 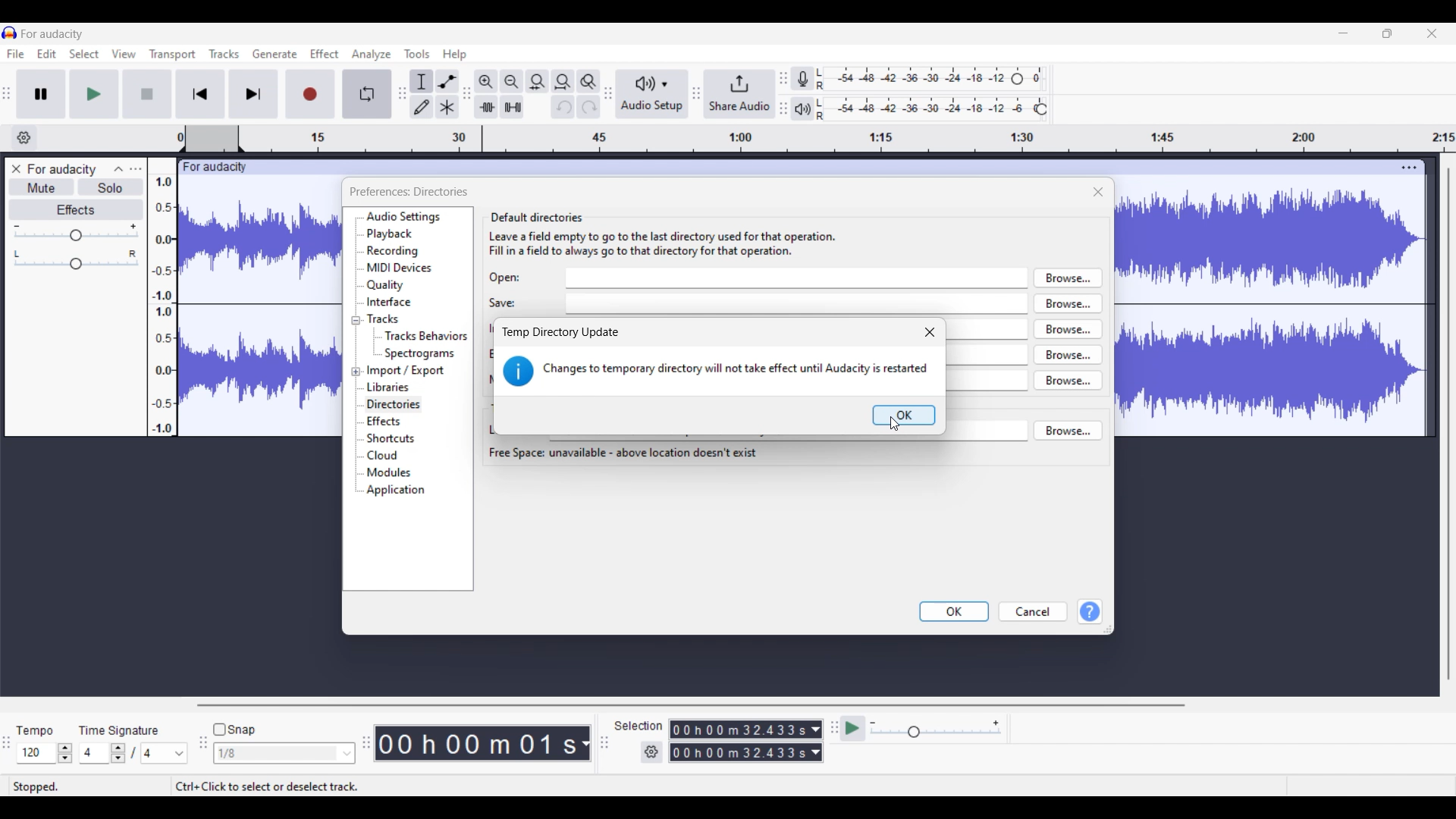 What do you see at coordinates (455, 55) in the screenshot?
I see `Help menu` at bounding box center [455, 55].